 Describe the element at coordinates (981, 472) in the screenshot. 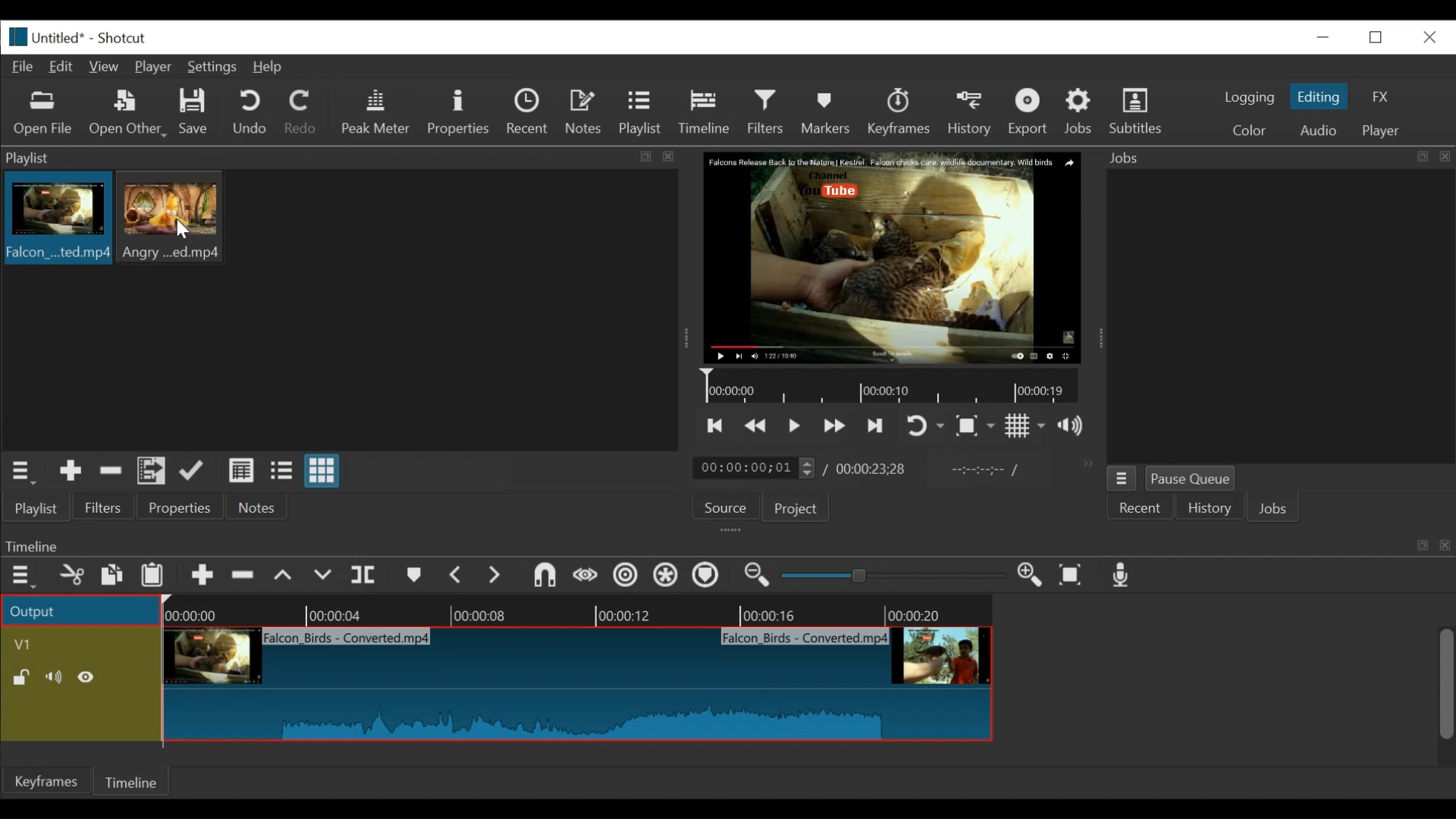

I see `in point` at that location.